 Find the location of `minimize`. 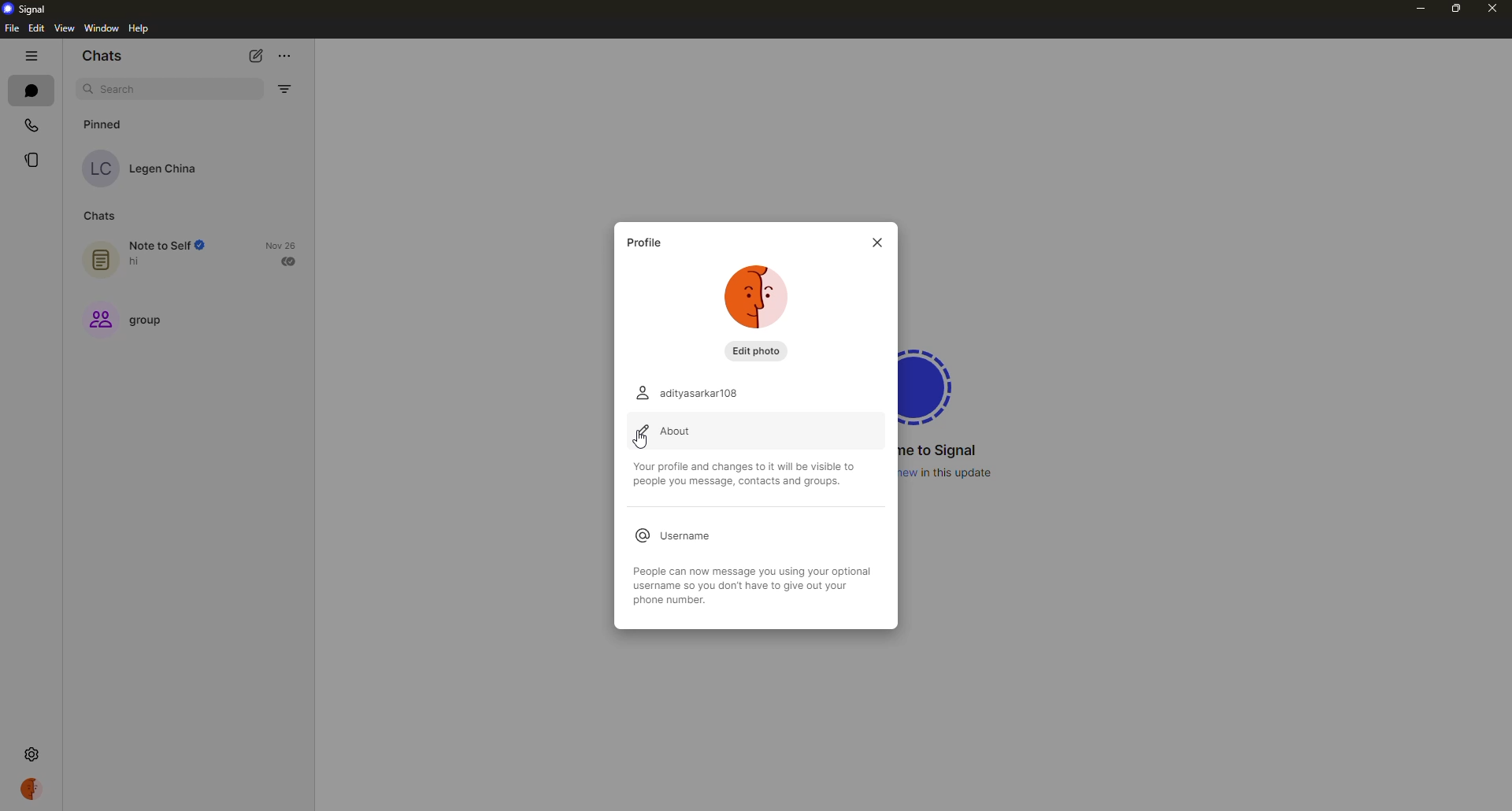

minimize is located at coordinates (1415, 10).